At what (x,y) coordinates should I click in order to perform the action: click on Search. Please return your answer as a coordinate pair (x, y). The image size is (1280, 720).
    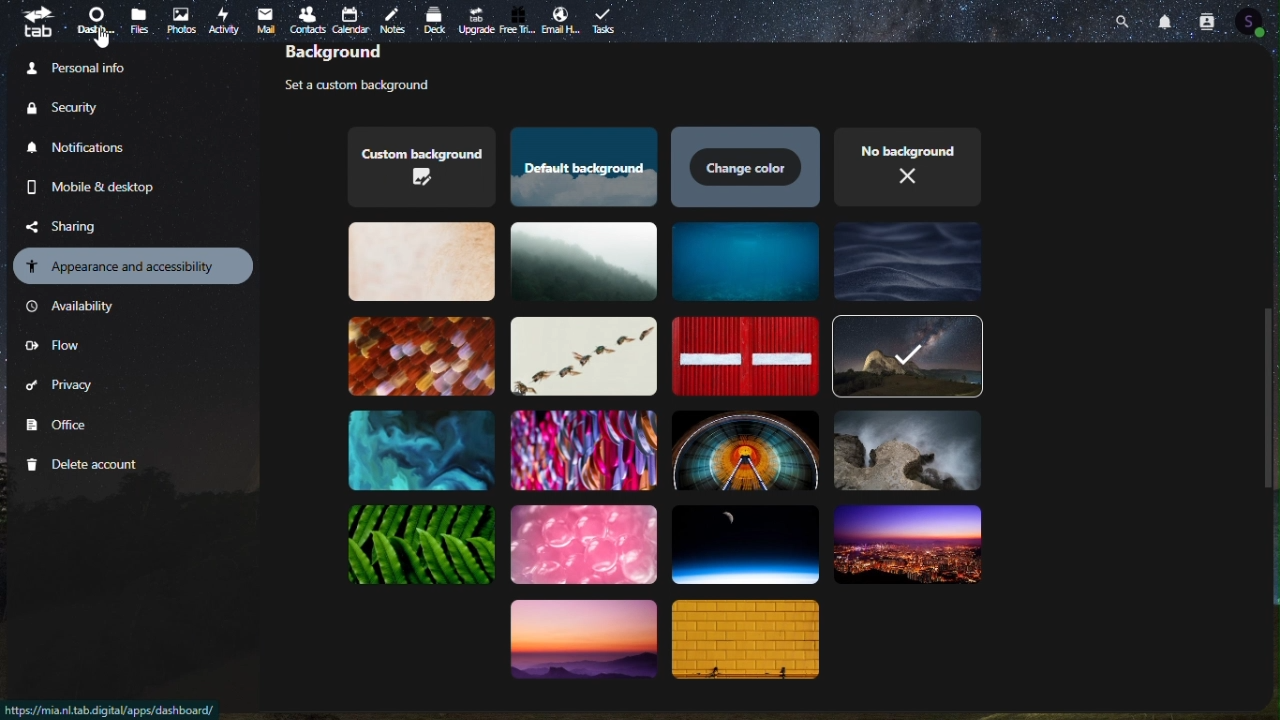
    Looking at the image, I should click on (1126, 19).